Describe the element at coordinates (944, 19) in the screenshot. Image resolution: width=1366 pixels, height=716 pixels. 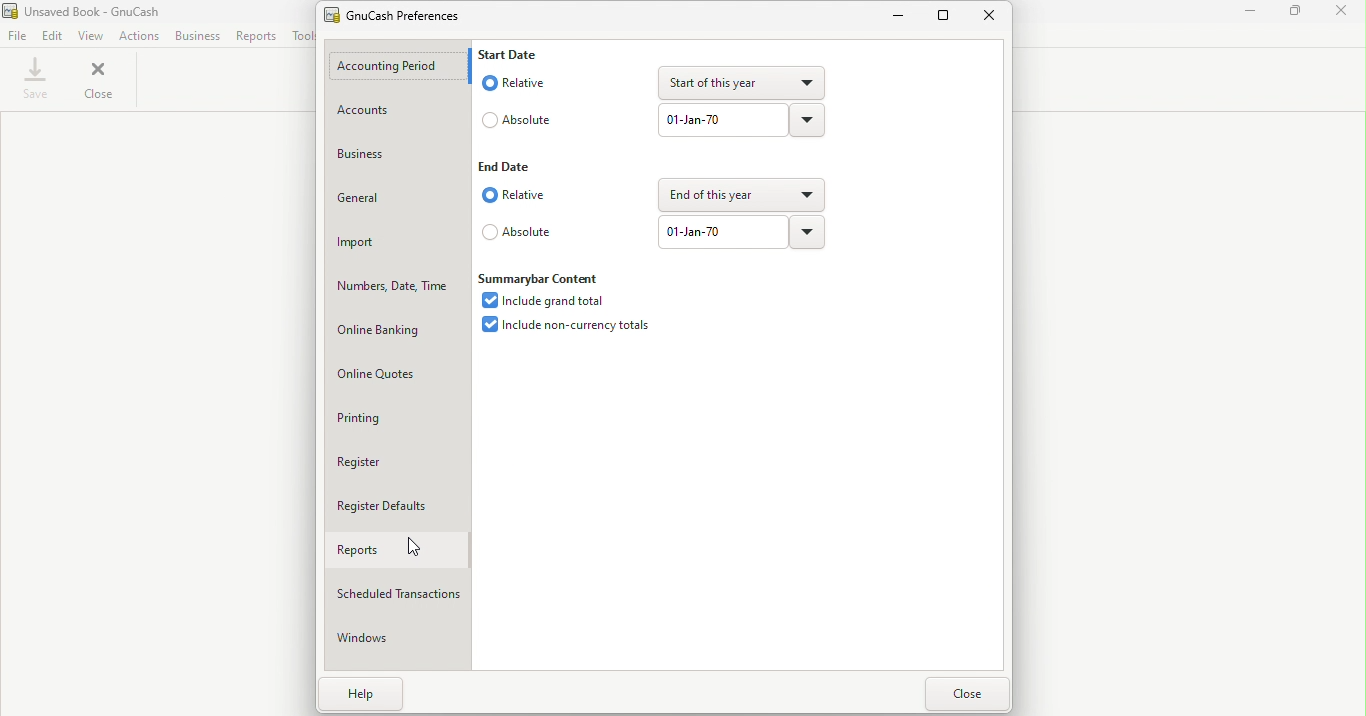
I see `Maximize` at that location.